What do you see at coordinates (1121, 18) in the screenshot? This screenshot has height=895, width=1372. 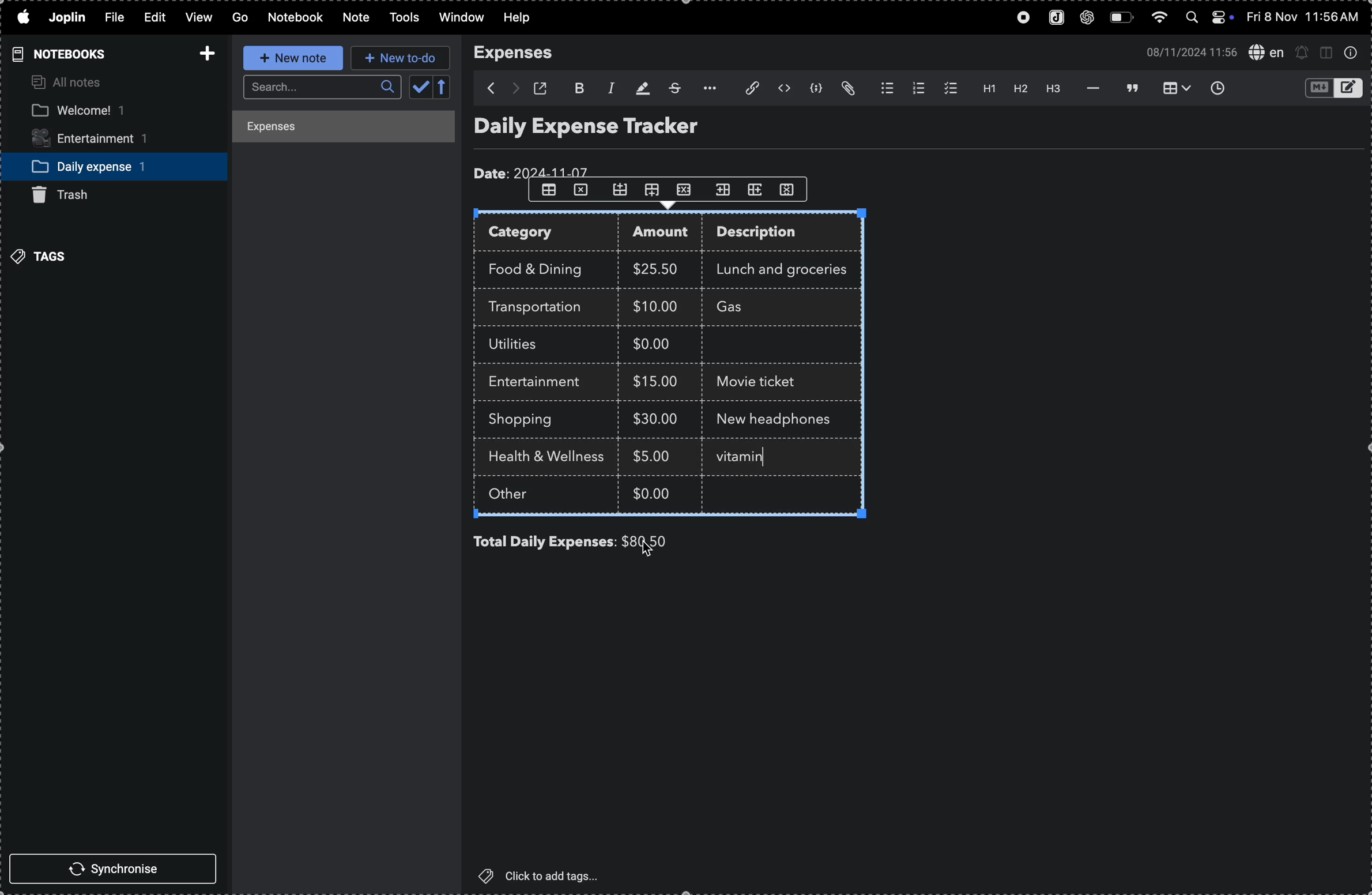 I see `battery` at bounding box center [1121, 18].